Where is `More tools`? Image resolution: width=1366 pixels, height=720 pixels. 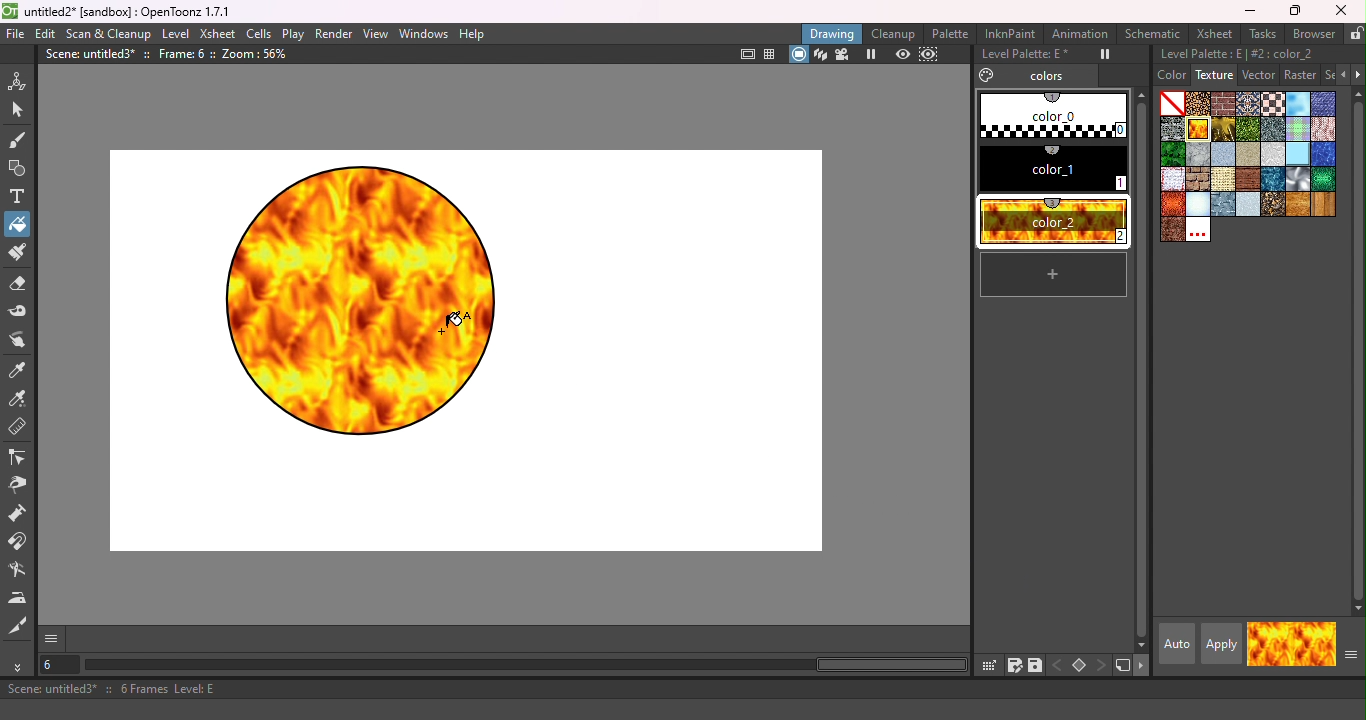 More tools is located at coordinates (20, 667).